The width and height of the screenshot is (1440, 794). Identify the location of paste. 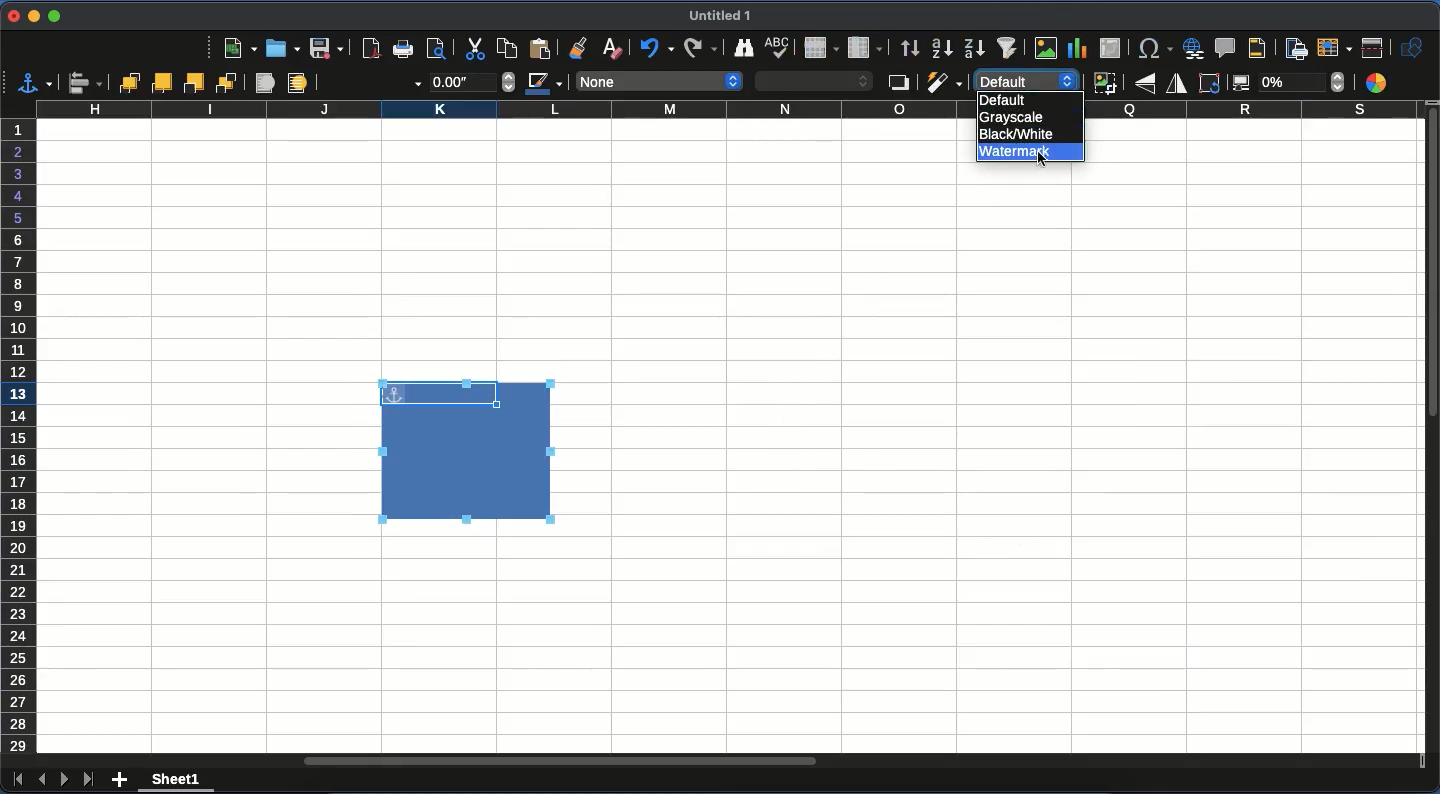
(545, 47).